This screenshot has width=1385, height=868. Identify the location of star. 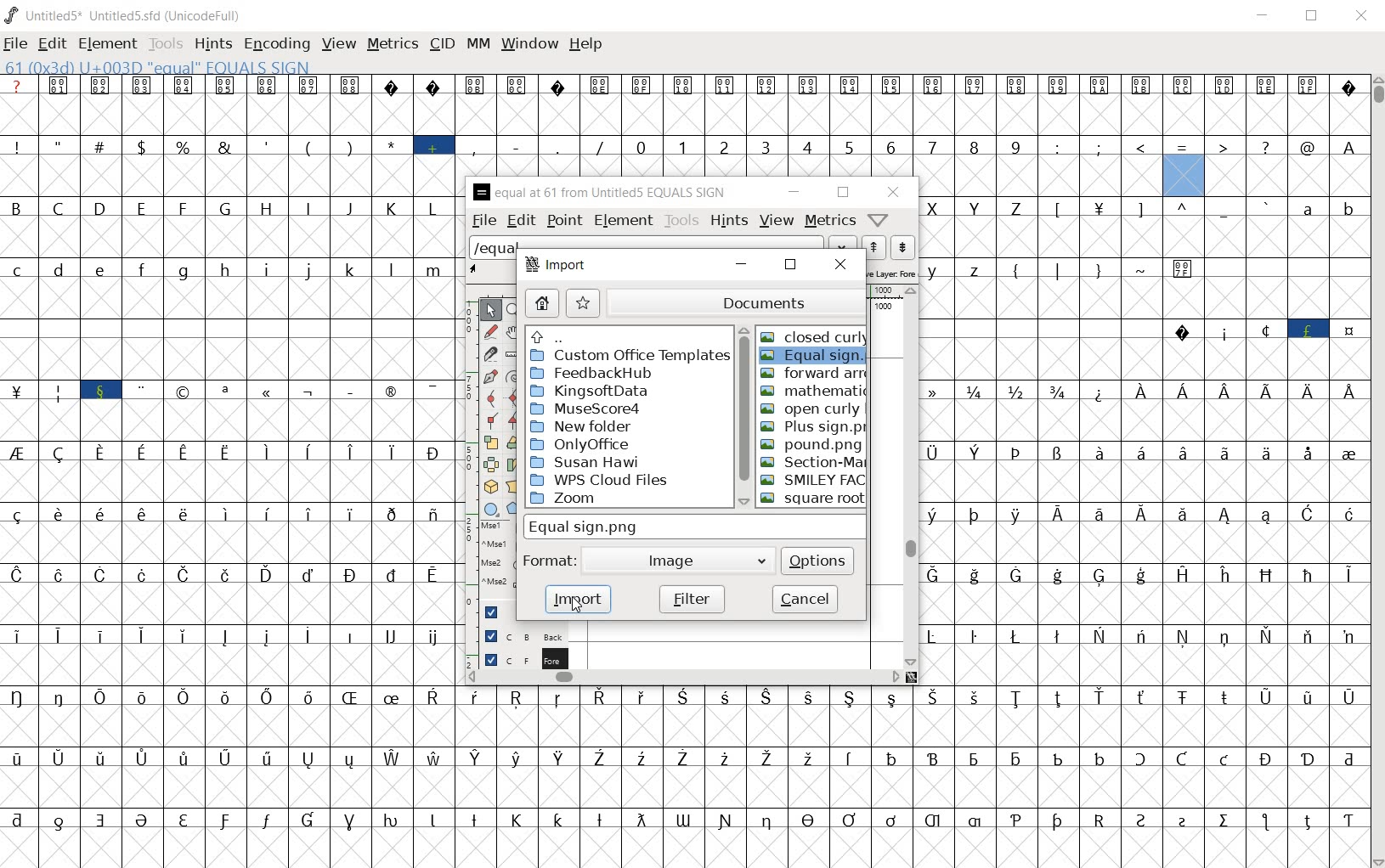
(583, 302).